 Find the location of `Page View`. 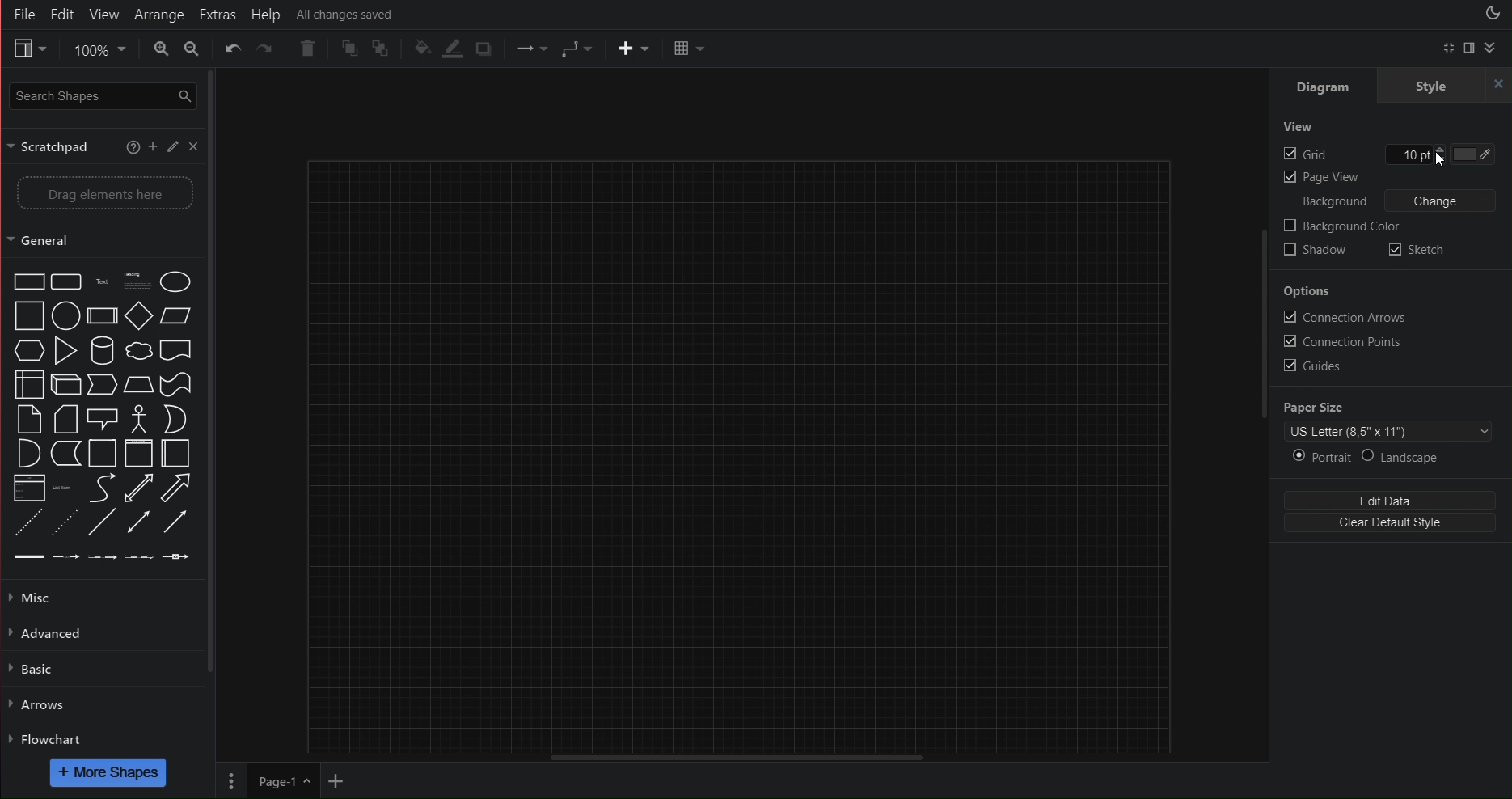

Page View is located at coordinates (1320, 179).